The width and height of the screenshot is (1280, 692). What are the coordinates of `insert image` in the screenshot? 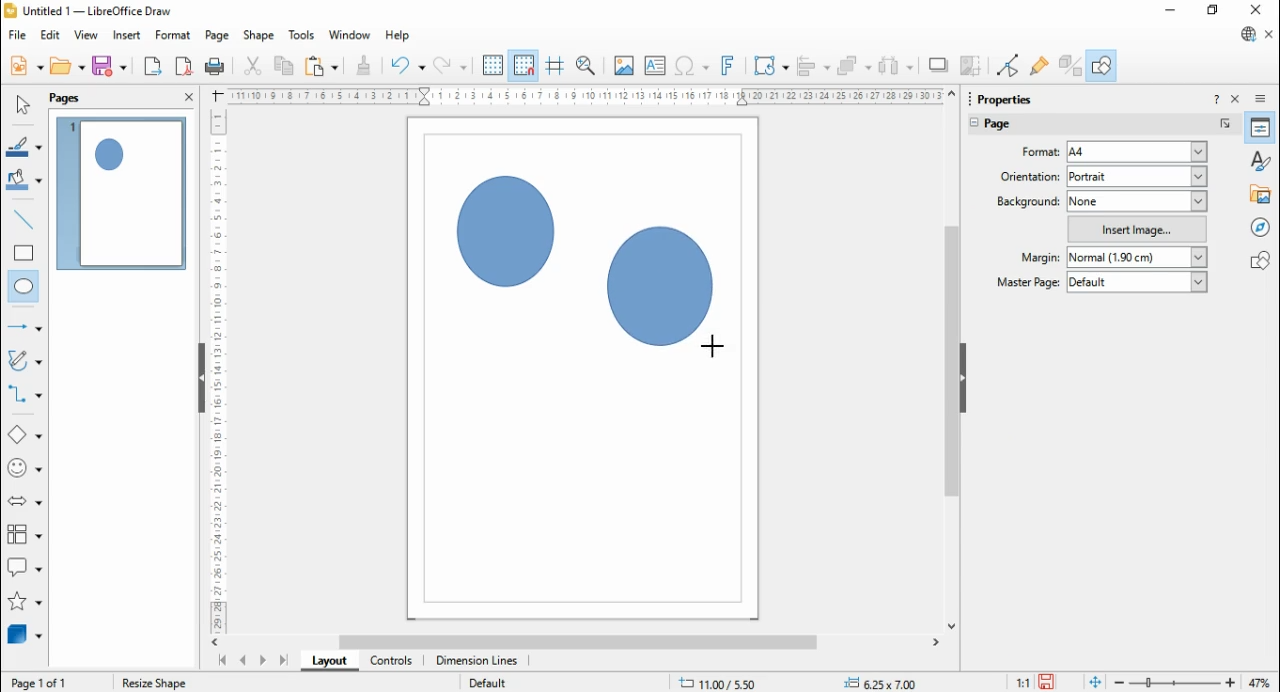 It's located at (623, 65).